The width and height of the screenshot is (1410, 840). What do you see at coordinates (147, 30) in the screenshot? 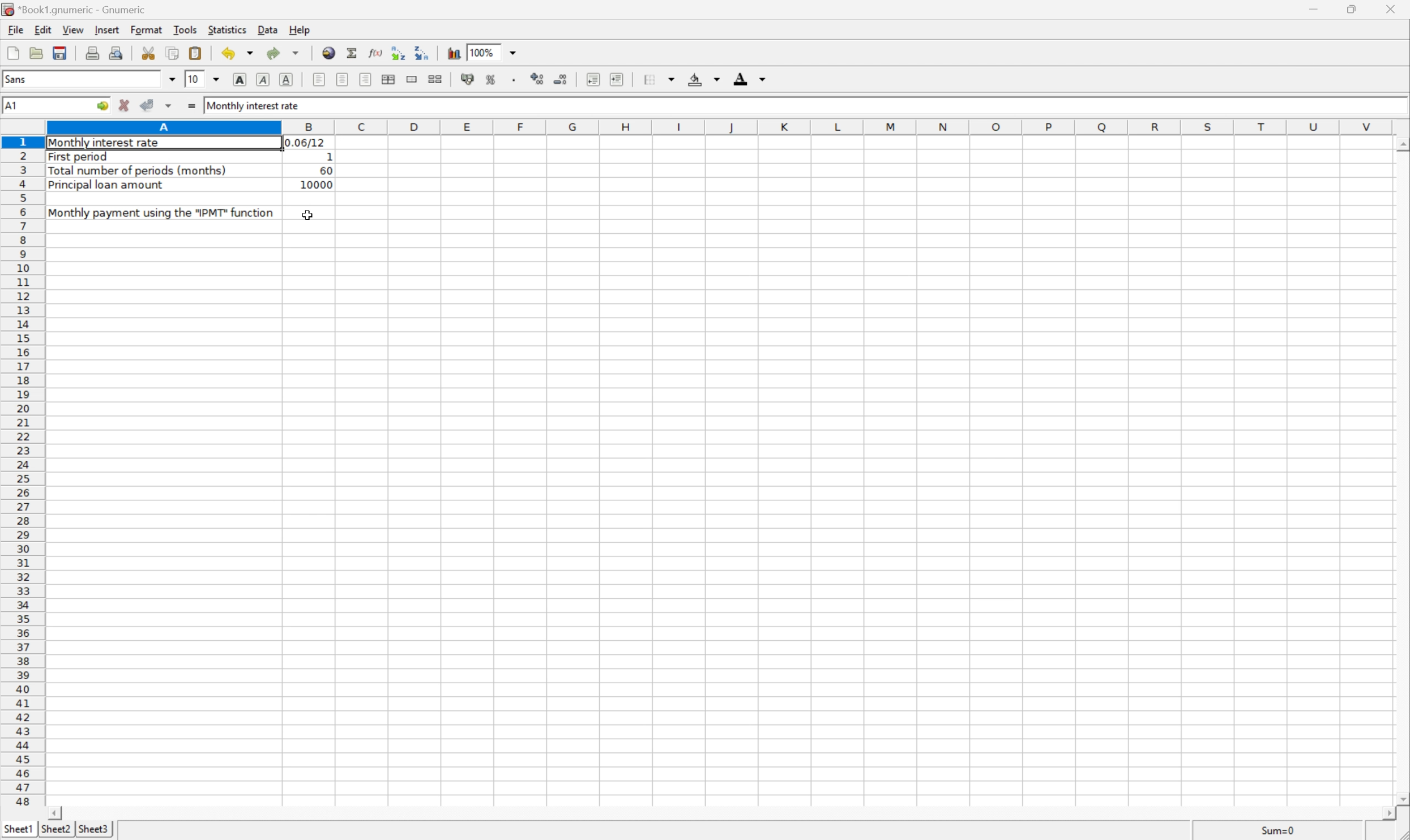
I see `Format` at bounding box center [147, 30].